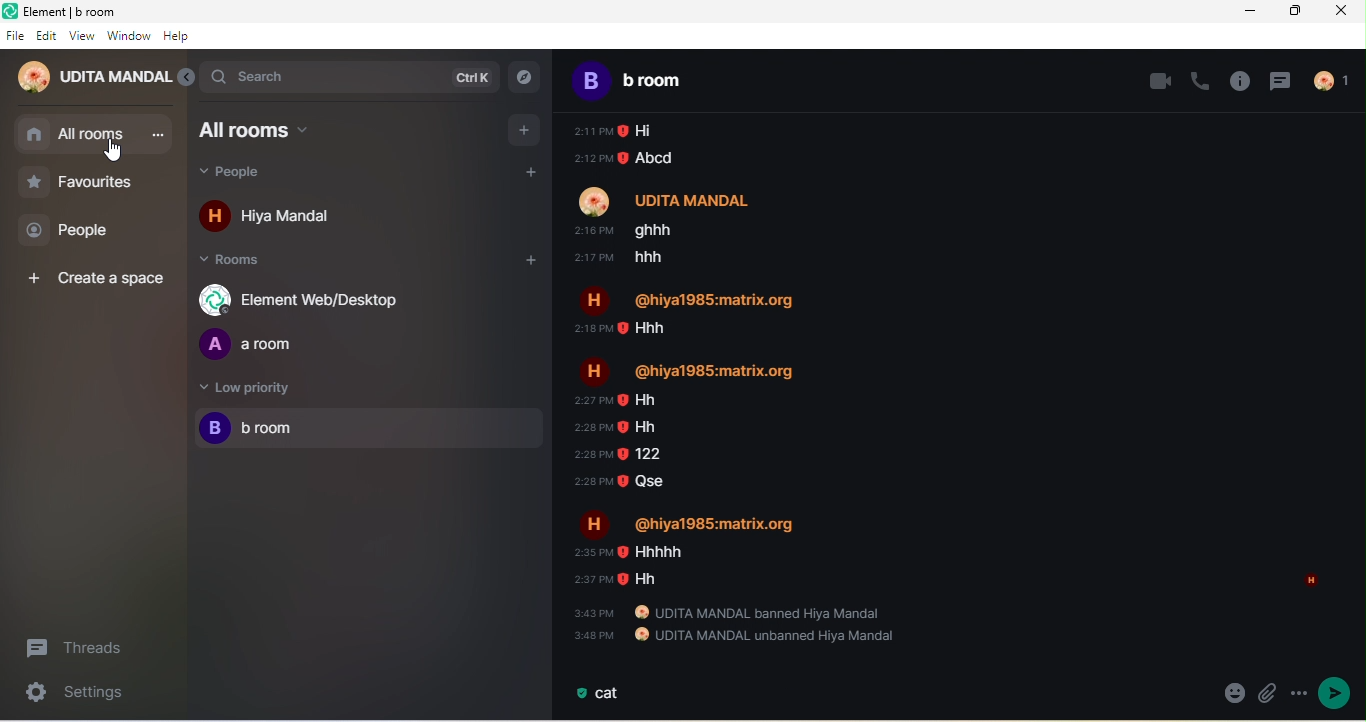 The width and height of the screenshot is (1366, 722). I want to click on people, so click(1338, 81).